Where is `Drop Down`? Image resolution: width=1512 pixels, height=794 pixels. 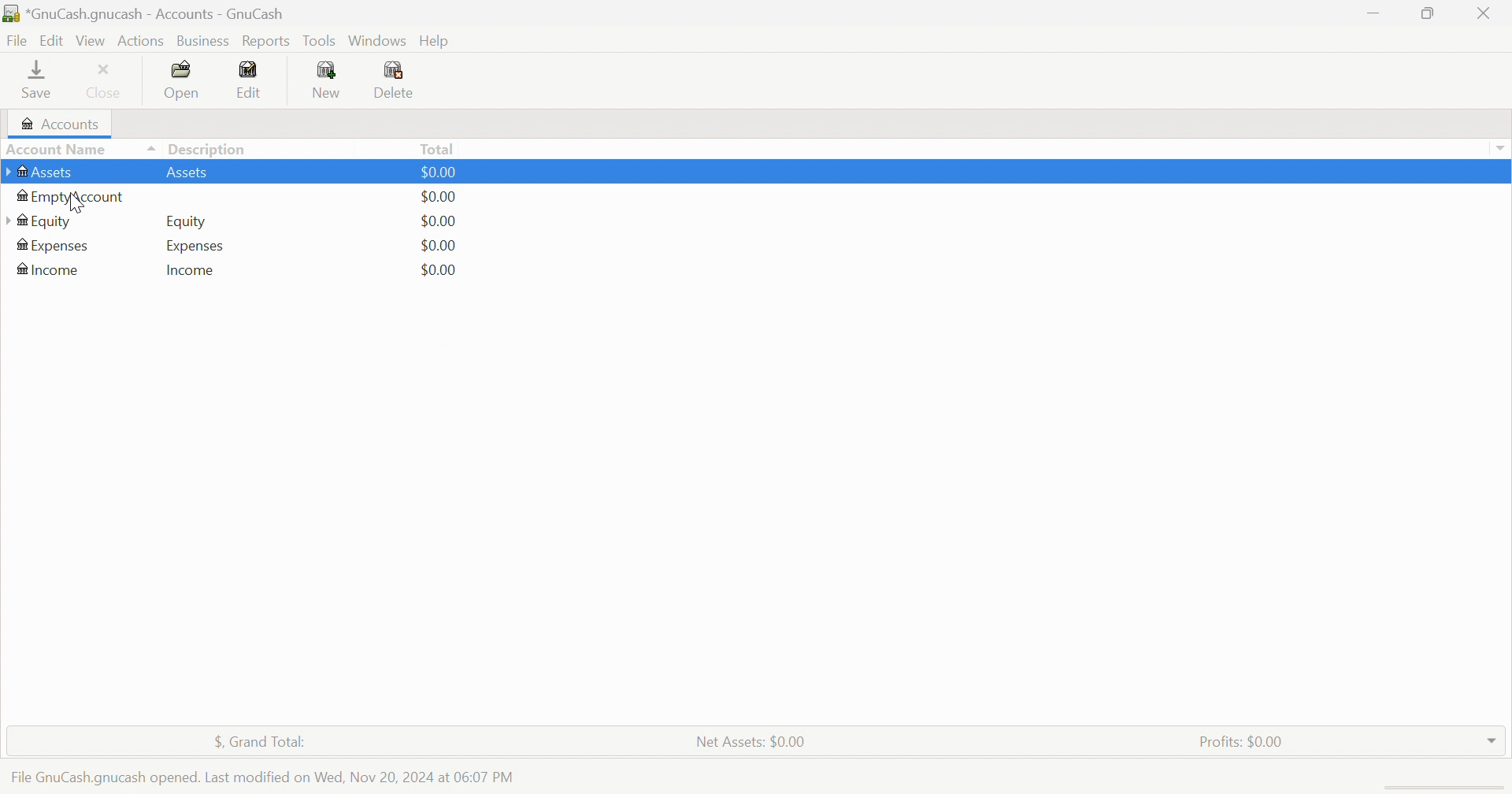
Drop Down is located at coordinates (1492, 736).